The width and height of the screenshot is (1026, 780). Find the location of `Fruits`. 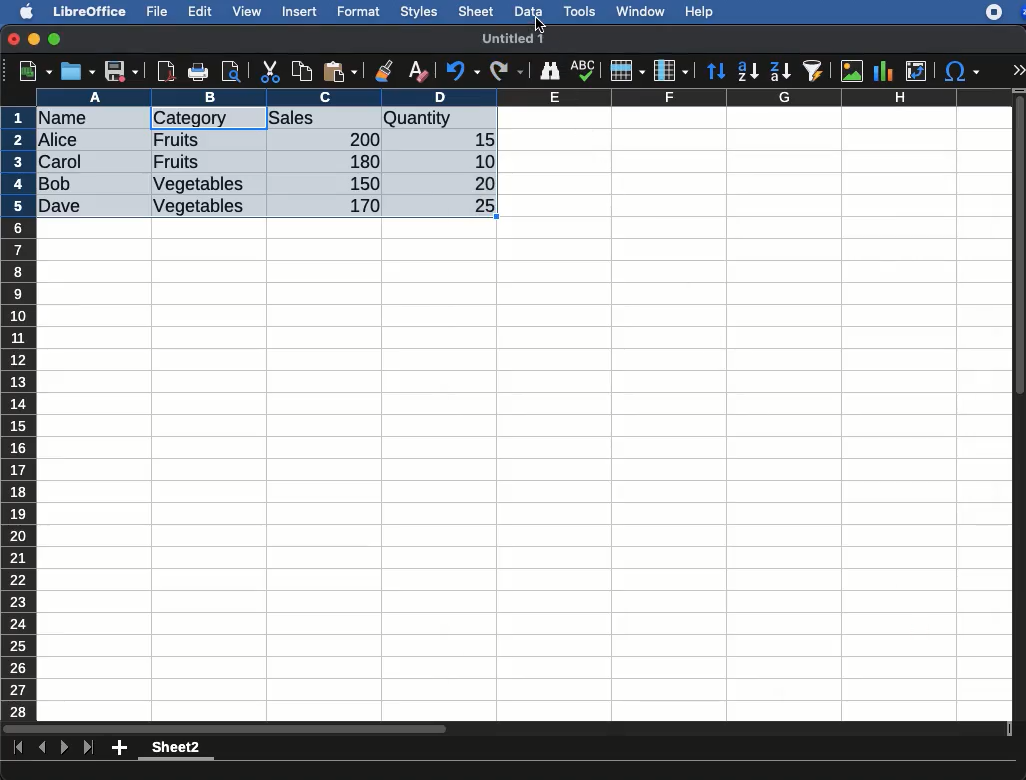

Fruits is located at coordinates (177, 139).